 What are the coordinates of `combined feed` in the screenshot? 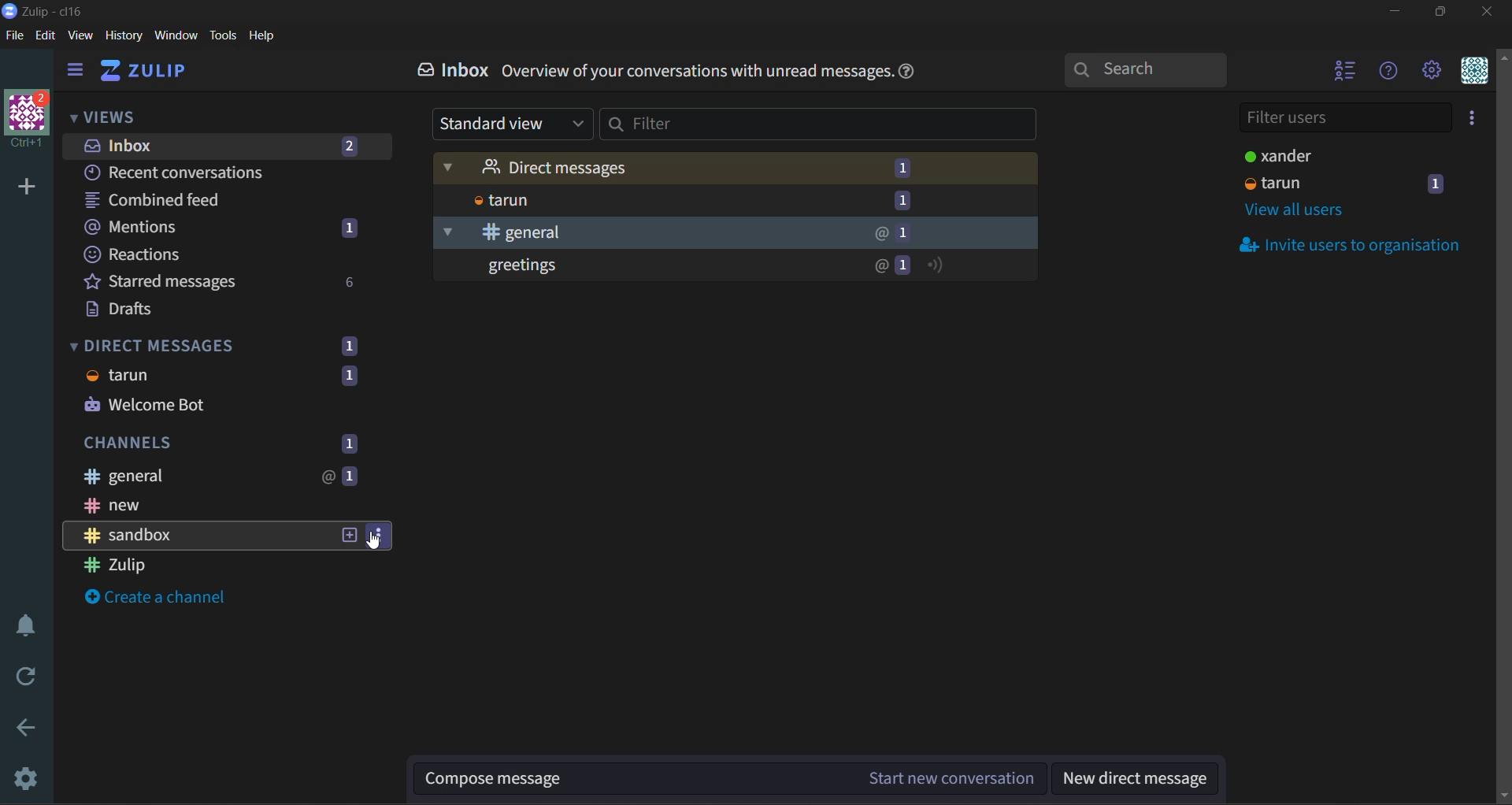 It's located at (183, 199).